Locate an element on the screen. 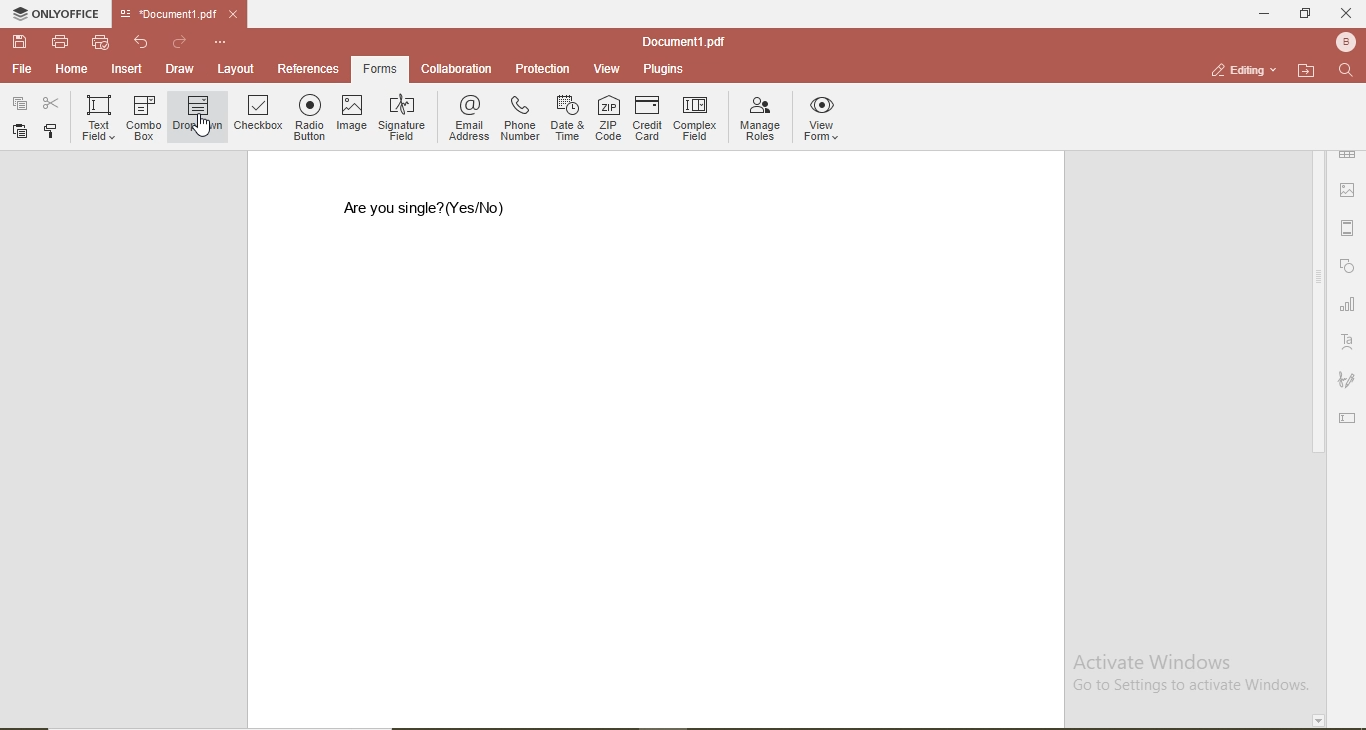 The image size is (1366, 730). ZIP code is located at coordinates (608, 118).